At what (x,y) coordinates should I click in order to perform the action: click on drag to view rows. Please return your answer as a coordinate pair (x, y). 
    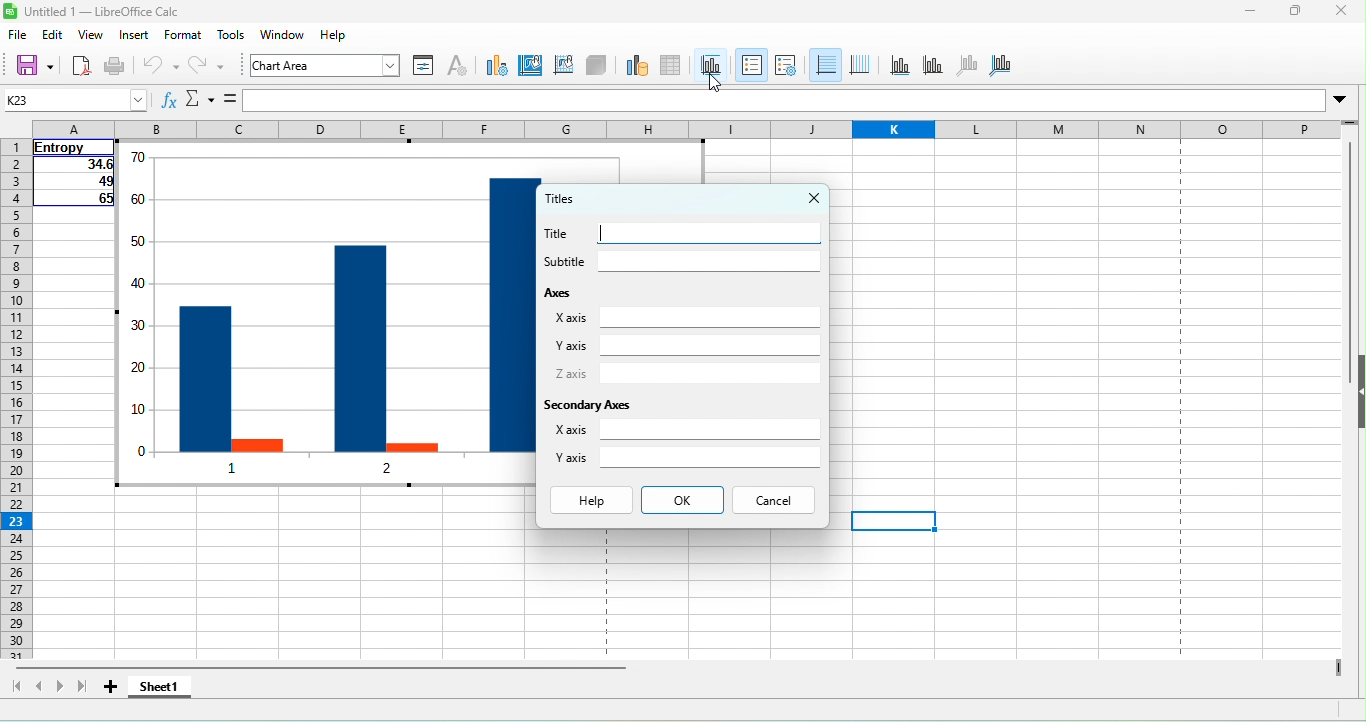
    Looking at the image, I should click on (1350, 120).